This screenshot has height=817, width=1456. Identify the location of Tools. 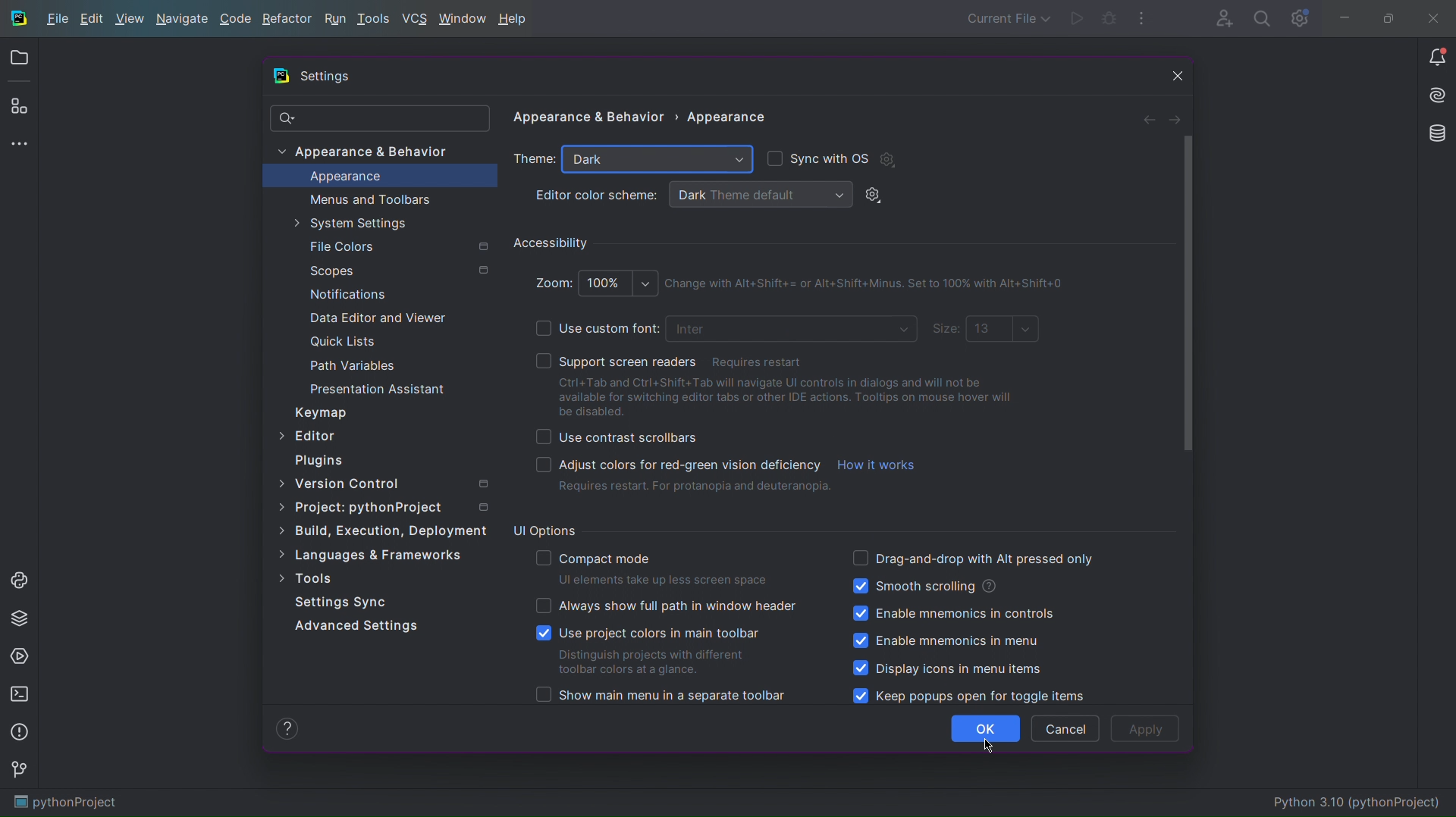
(306, 576).